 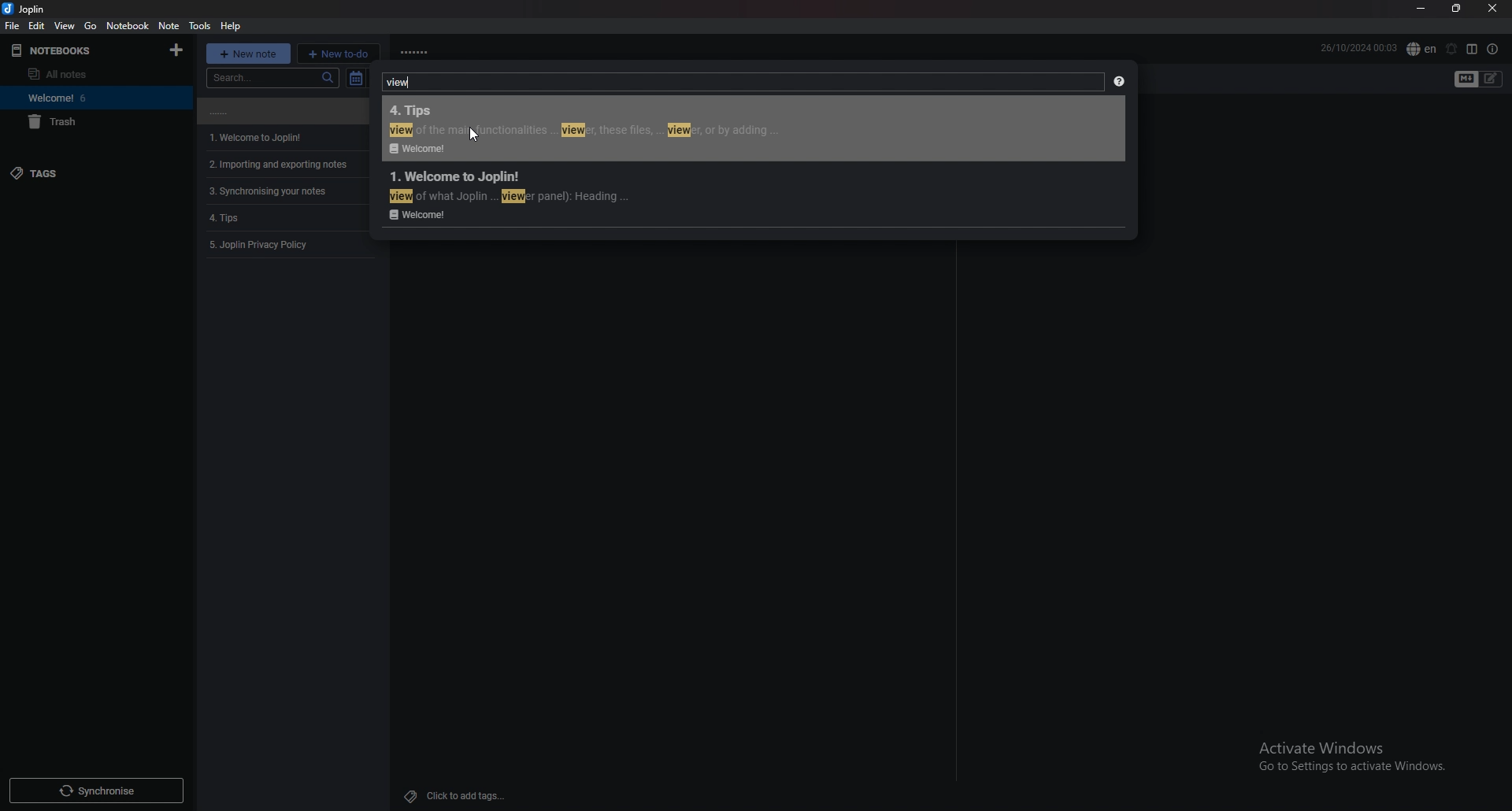 What do you see at coordinates (1492, 80) in the screenshot?
I see `toggle editors` at bounding box center [1492, 80].